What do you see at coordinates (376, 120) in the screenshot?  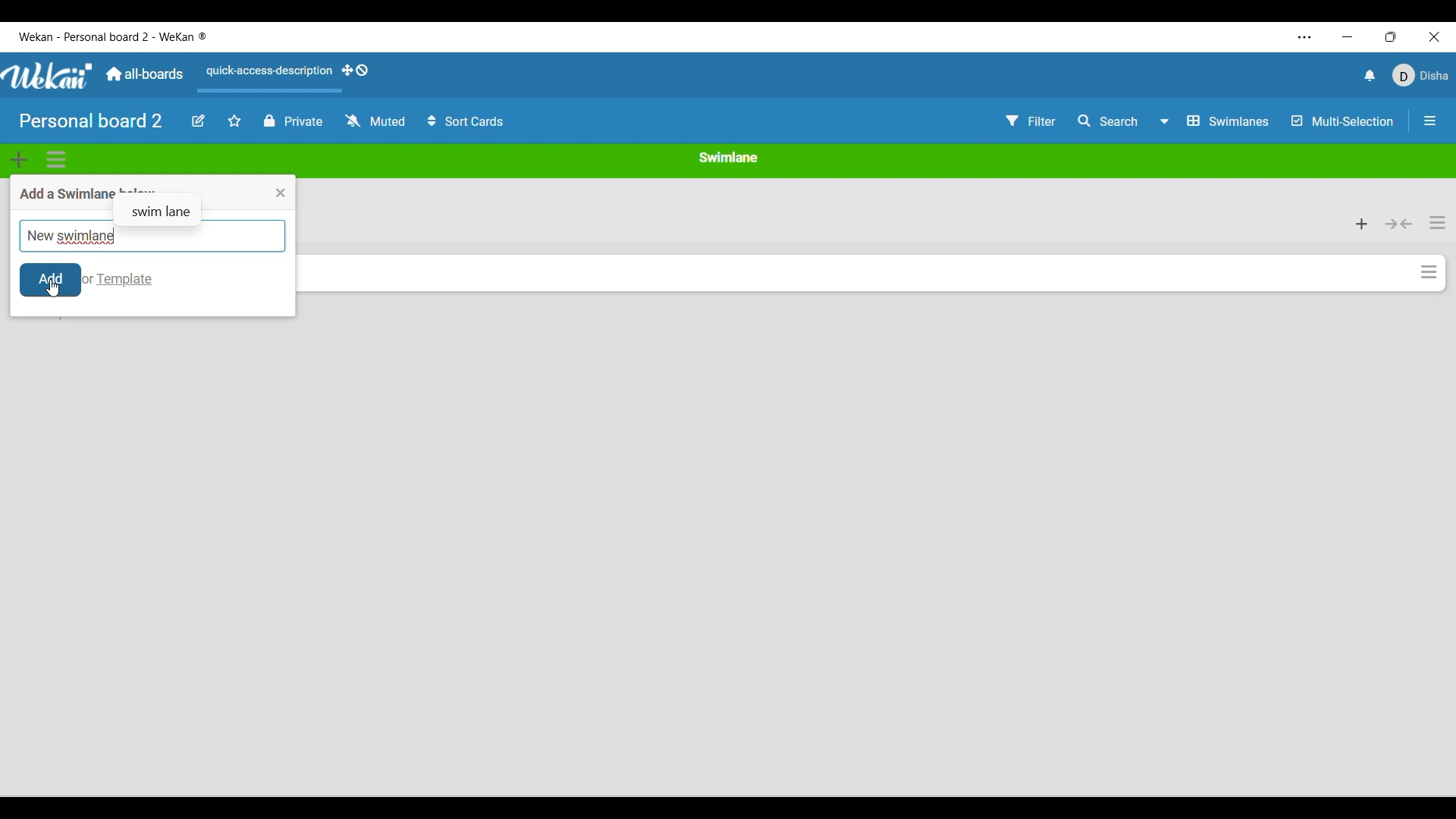 I see `Change watch options` at bounding box center [376, 120].